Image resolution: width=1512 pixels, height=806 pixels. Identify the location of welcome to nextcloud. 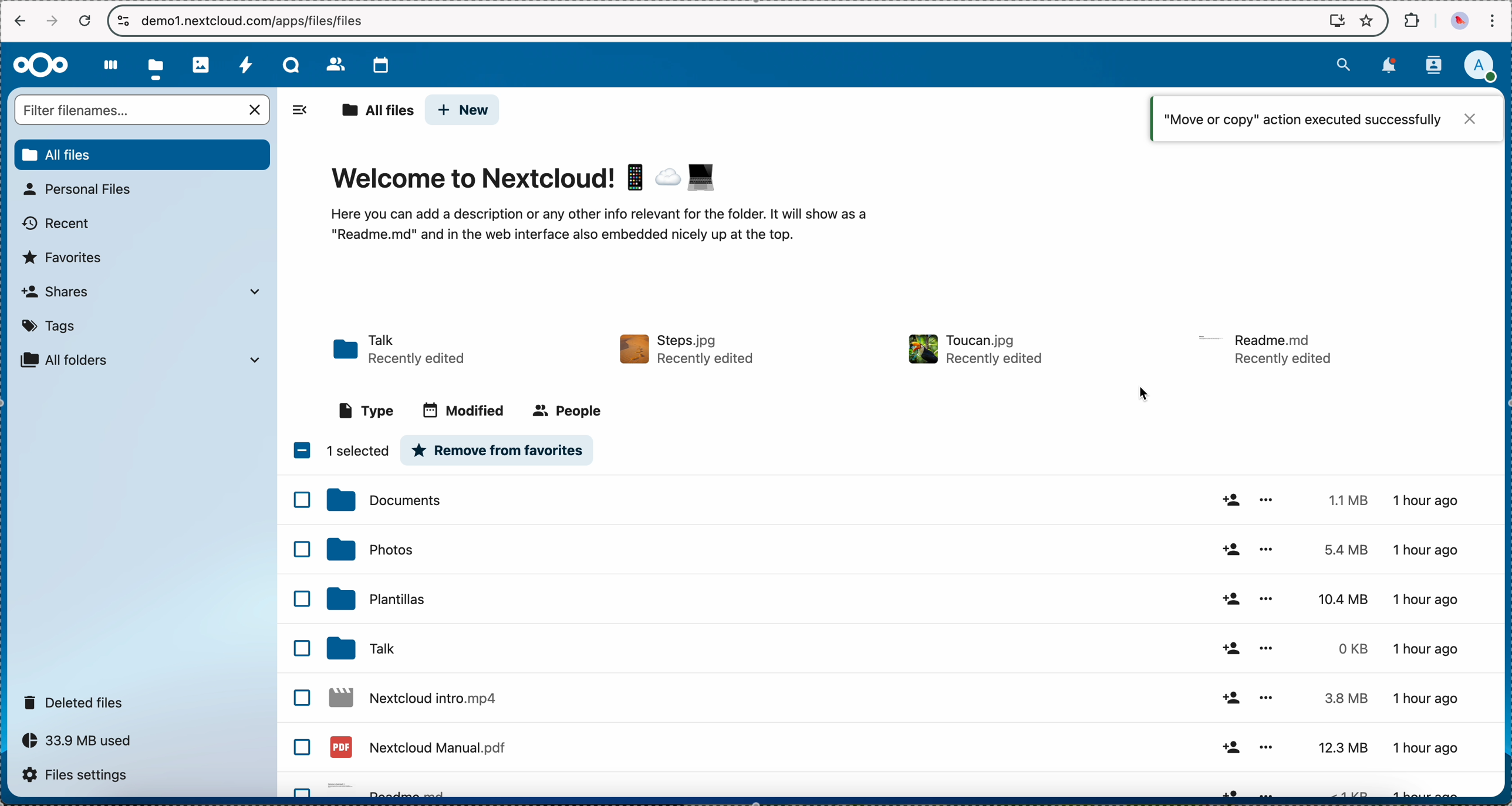
(610, 204).